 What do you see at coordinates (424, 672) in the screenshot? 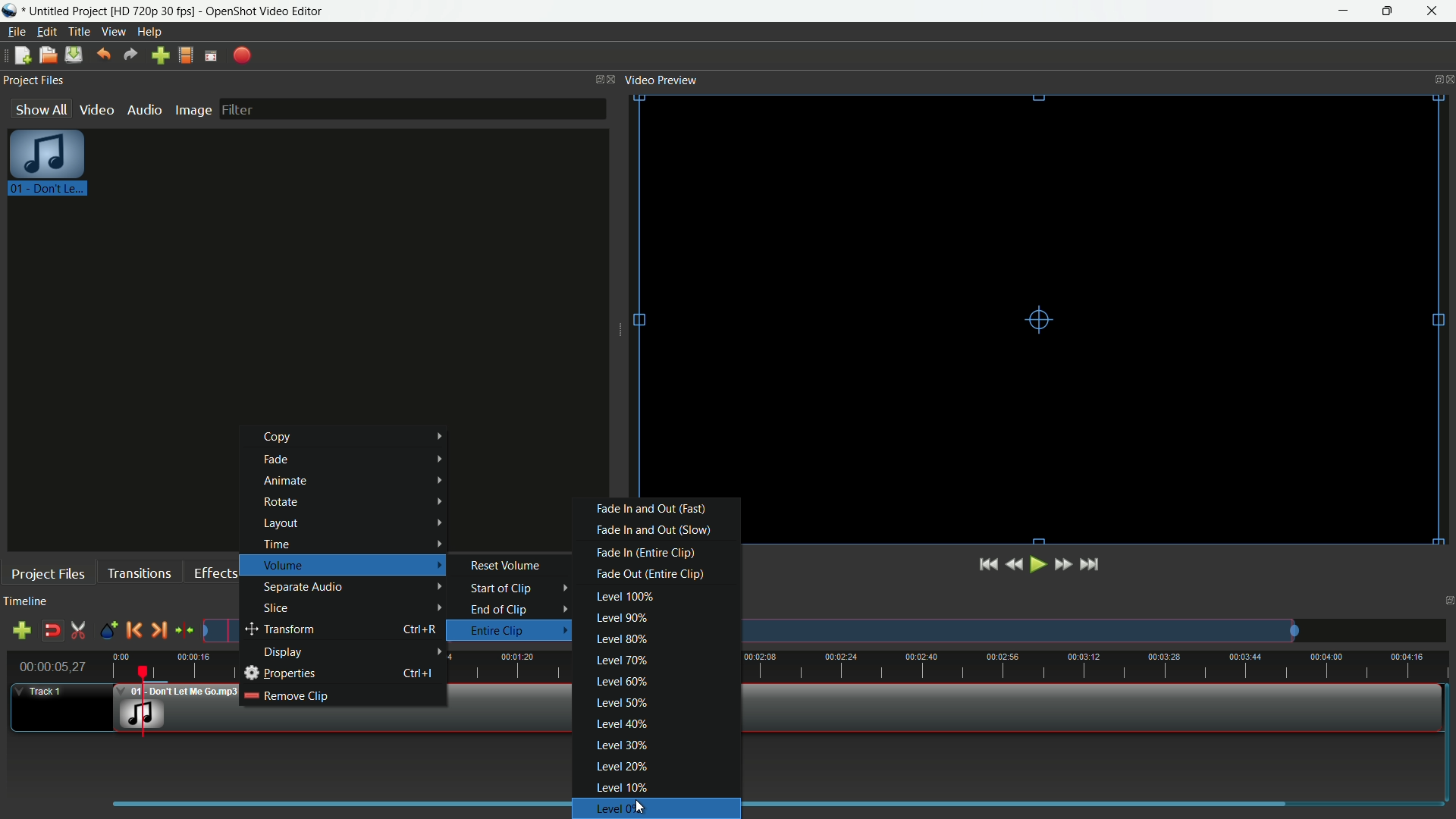
I see `keyboard shortcut` at bounding box center [424, 672].